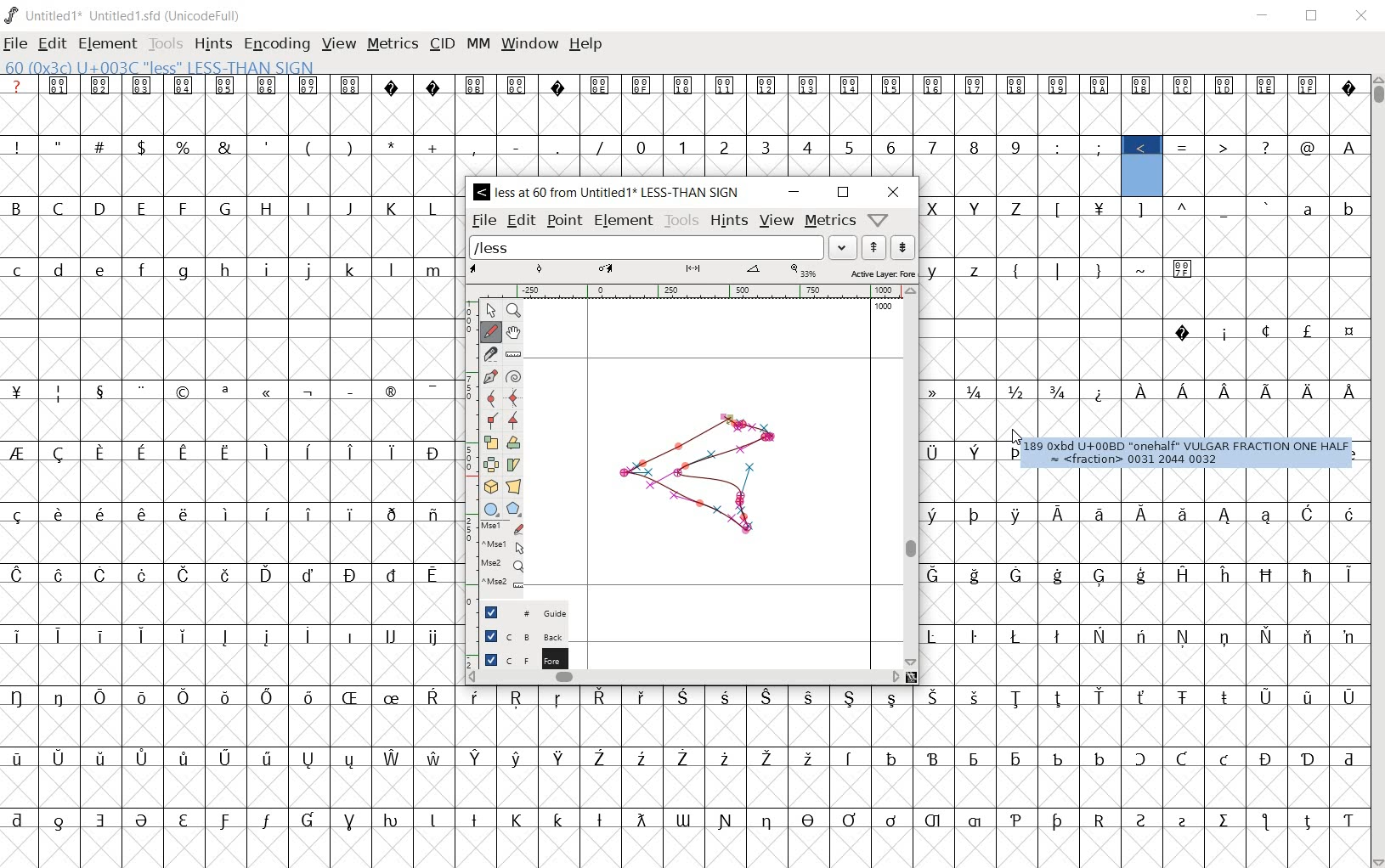 This screenshot has height=868, width=1385. Describe the element at coordinates (608, 193) in the screenshot. I see `< less at 60 from Untitled1 LESS-THAN SIGN` at that location.